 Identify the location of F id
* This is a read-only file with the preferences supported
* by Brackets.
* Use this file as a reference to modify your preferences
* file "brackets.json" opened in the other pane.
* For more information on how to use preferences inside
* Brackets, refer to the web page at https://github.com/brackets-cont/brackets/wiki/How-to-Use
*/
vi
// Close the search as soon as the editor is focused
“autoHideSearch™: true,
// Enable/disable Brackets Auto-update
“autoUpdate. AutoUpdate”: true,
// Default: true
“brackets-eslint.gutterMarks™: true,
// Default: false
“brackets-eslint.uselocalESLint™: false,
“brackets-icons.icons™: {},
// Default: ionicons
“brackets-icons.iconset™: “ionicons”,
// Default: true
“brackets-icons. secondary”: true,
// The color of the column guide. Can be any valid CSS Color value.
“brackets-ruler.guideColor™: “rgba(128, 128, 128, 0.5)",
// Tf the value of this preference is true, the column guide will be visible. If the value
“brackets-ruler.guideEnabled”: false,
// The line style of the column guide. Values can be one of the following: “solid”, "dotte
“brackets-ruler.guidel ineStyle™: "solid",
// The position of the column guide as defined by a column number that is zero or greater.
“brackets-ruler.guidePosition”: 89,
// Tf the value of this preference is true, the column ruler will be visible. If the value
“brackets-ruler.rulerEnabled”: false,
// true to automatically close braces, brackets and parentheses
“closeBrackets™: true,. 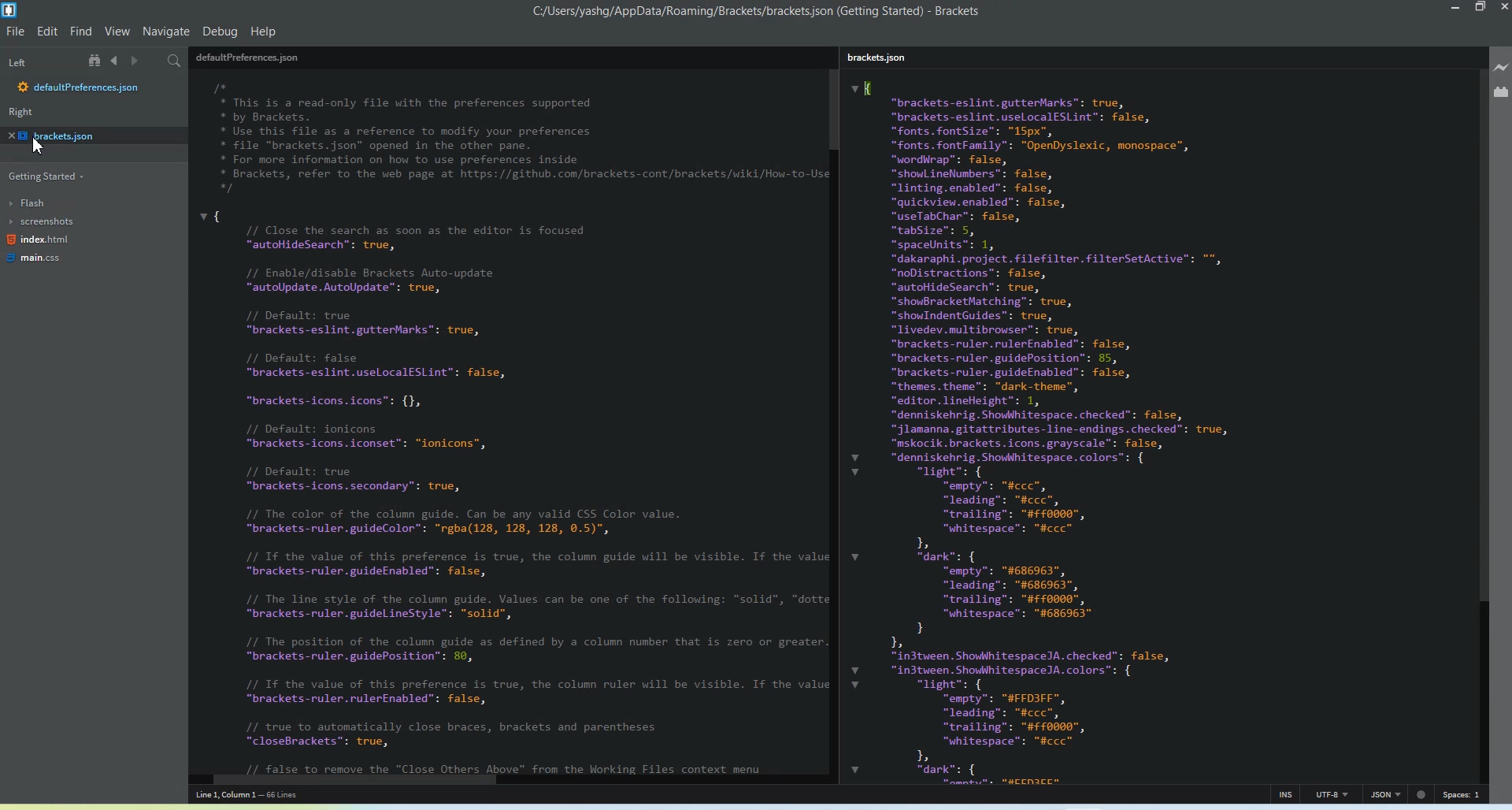
(510, 428).